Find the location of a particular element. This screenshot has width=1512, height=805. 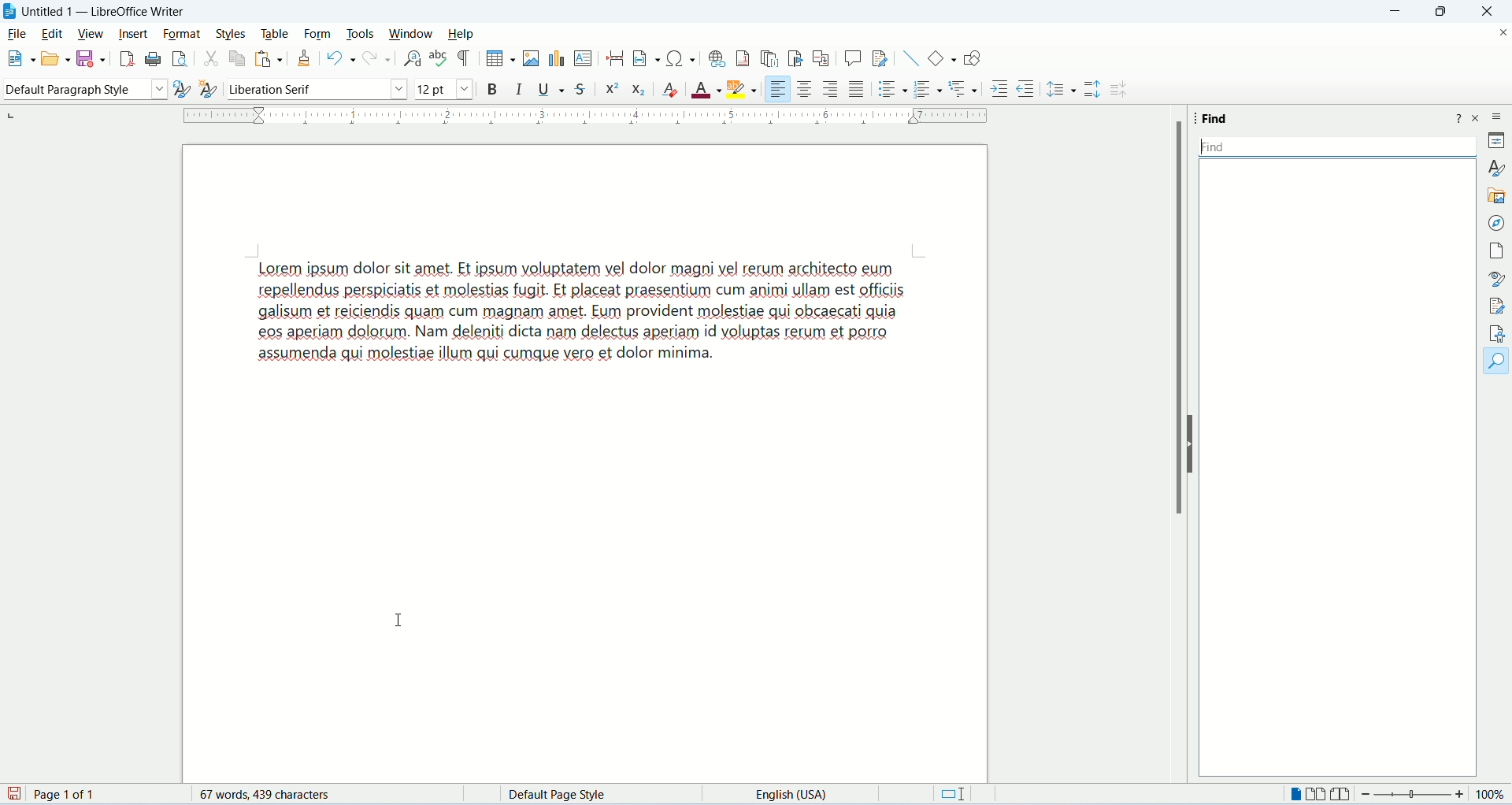

style is located at coordinates (1494, 168).